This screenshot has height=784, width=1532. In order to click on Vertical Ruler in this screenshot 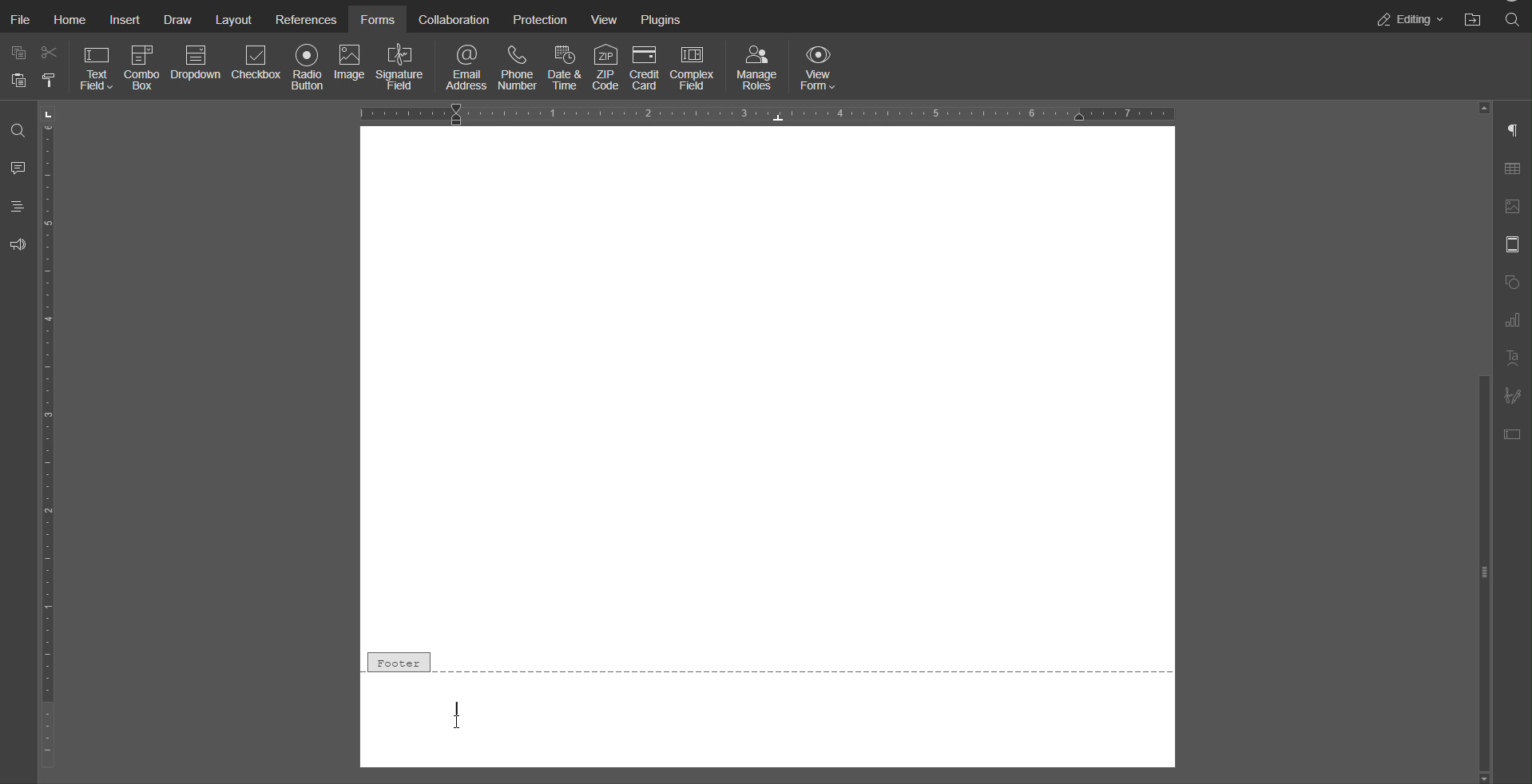, I will do `click(48, 439)`.